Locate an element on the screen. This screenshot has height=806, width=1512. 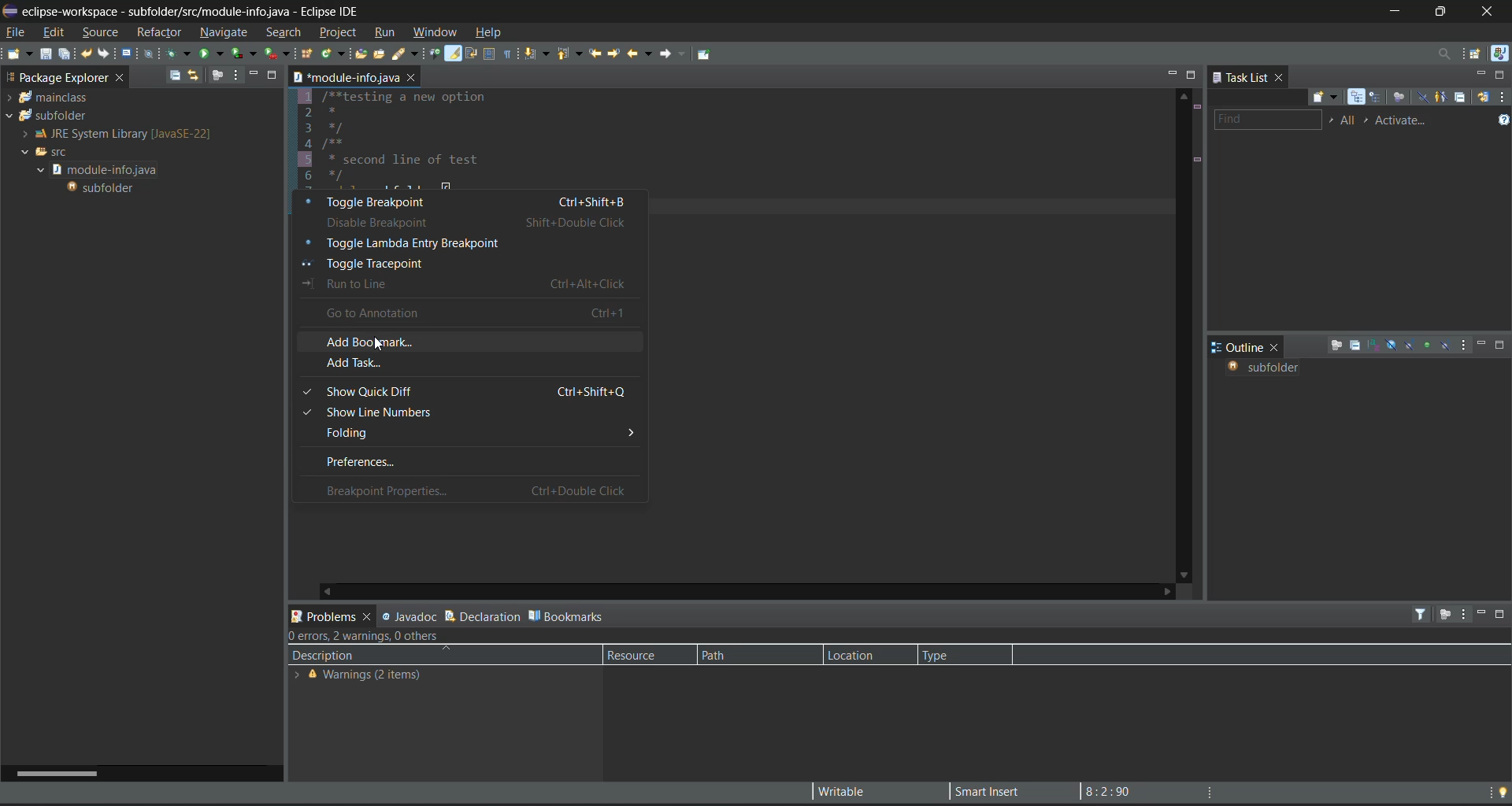
search is located at coordinates (283, 32).